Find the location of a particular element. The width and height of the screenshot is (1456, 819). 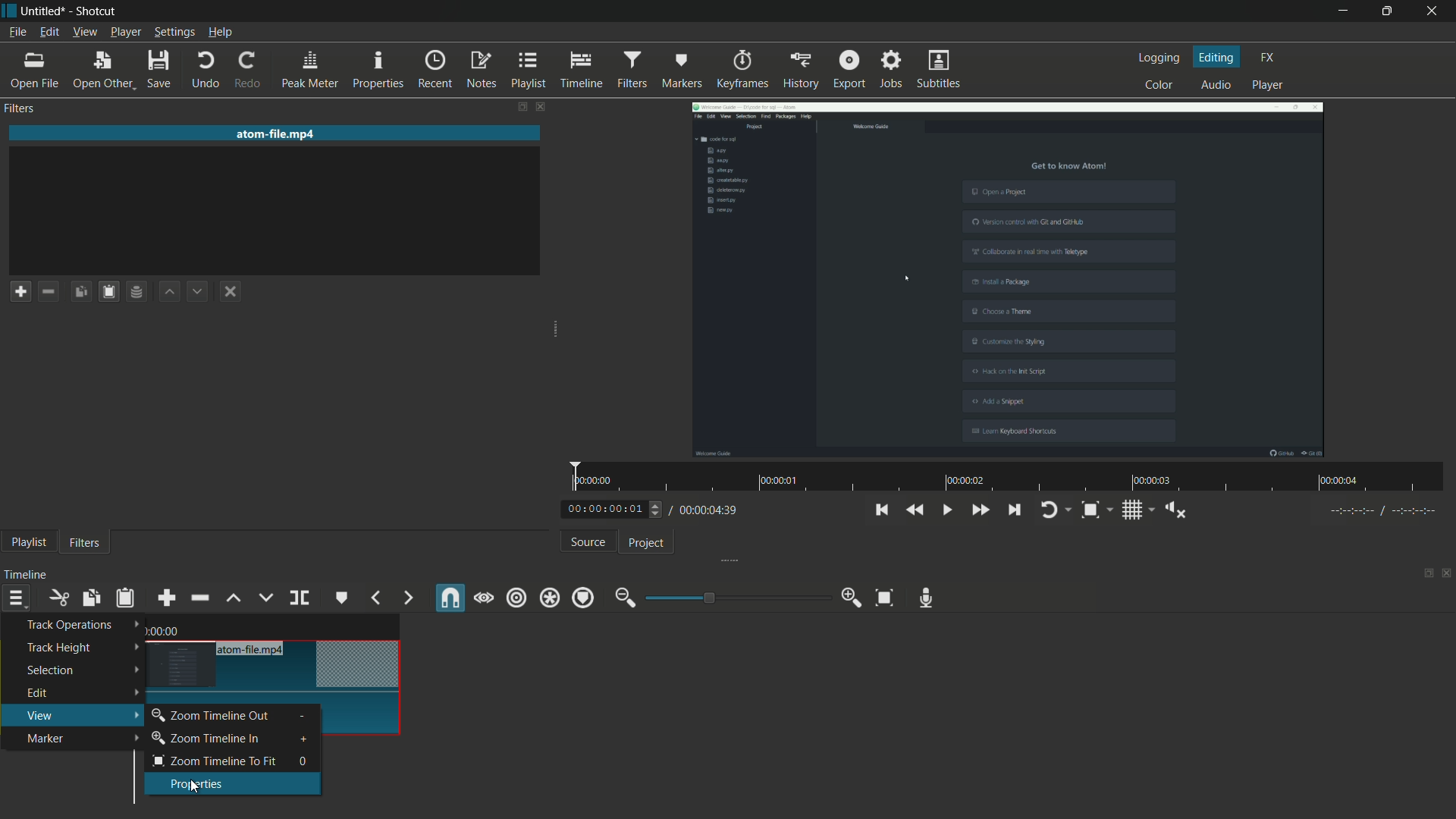

ripple is located at coordinates (516, 600).